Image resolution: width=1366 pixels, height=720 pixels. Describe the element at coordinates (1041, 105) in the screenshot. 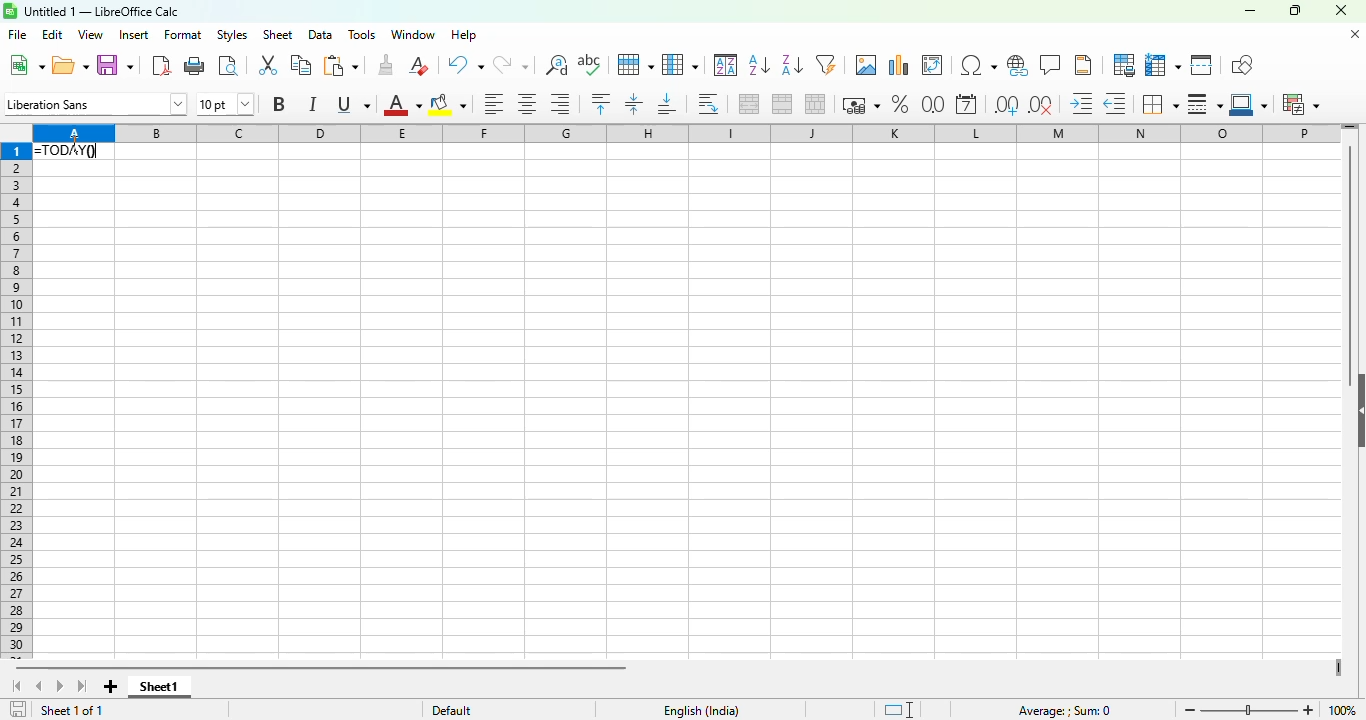

I see `delete decimal` at that location.